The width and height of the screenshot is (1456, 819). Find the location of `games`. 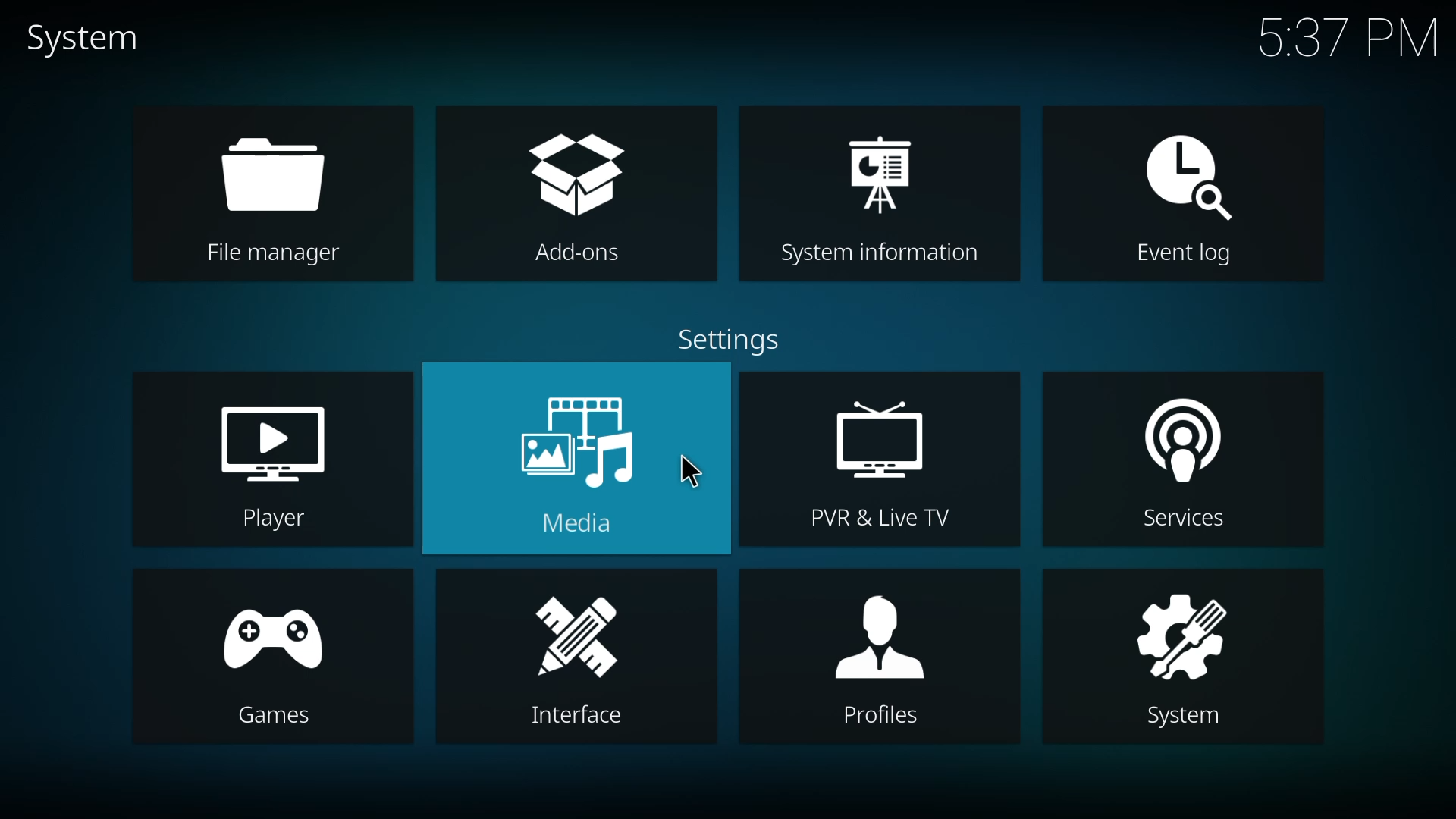

games is located at coordinates (275, 639).